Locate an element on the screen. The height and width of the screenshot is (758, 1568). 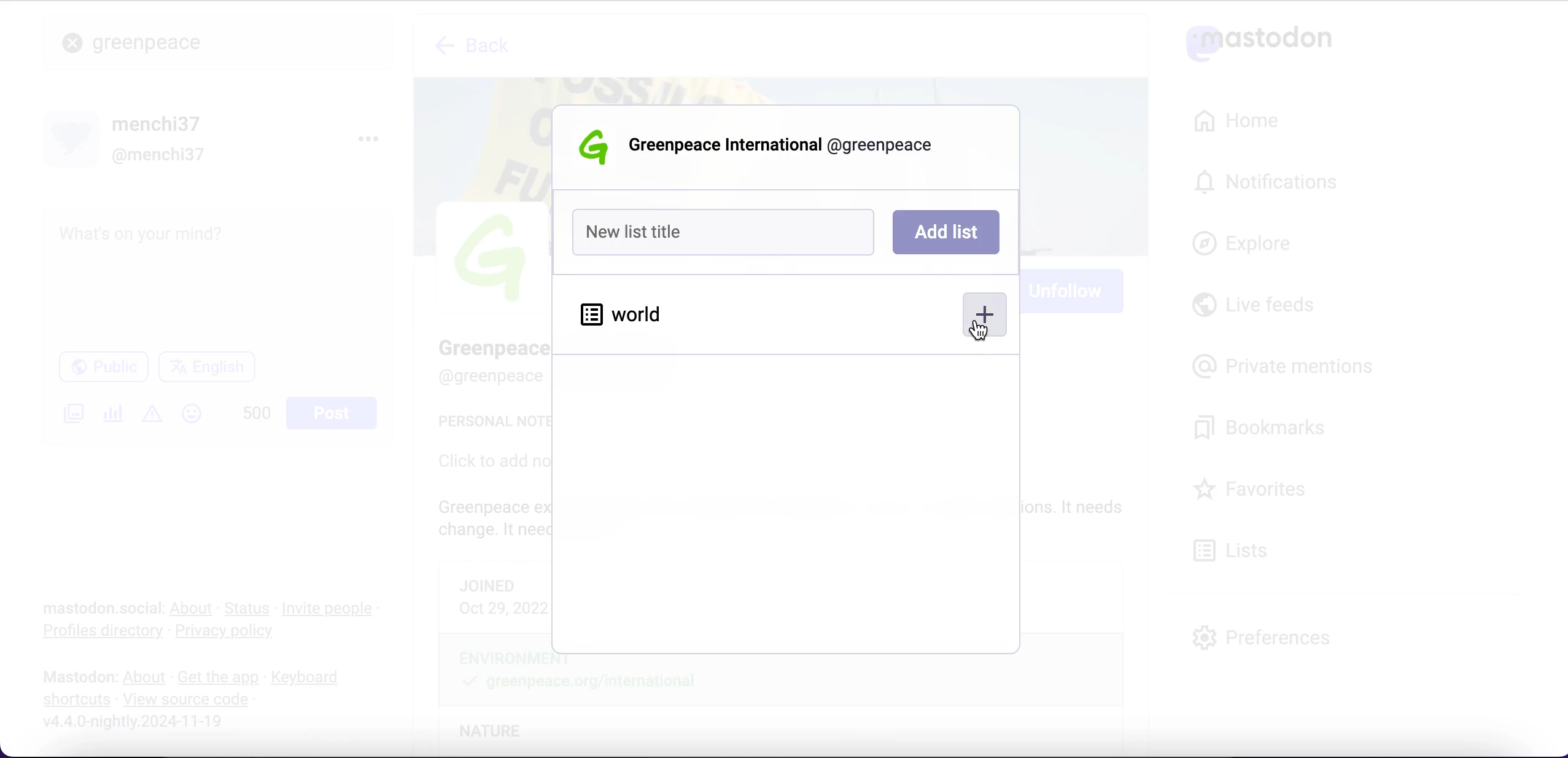
post what's n your mind is located at coordinates (219, 276).